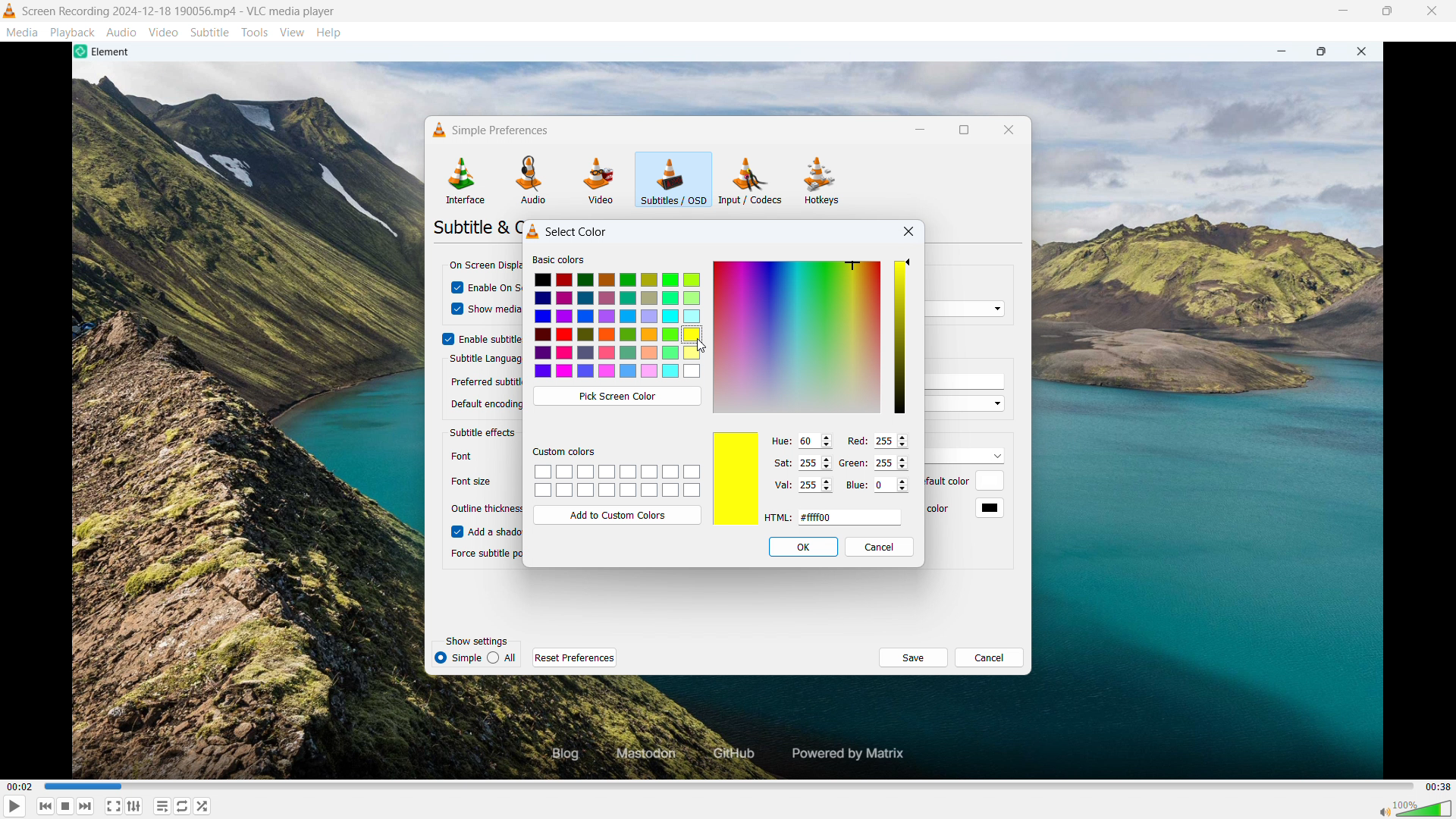 This screenshot has width=1456, height=819. Describe the element at coordinates (467, 456) in the screenshot. I see `font` at that location.